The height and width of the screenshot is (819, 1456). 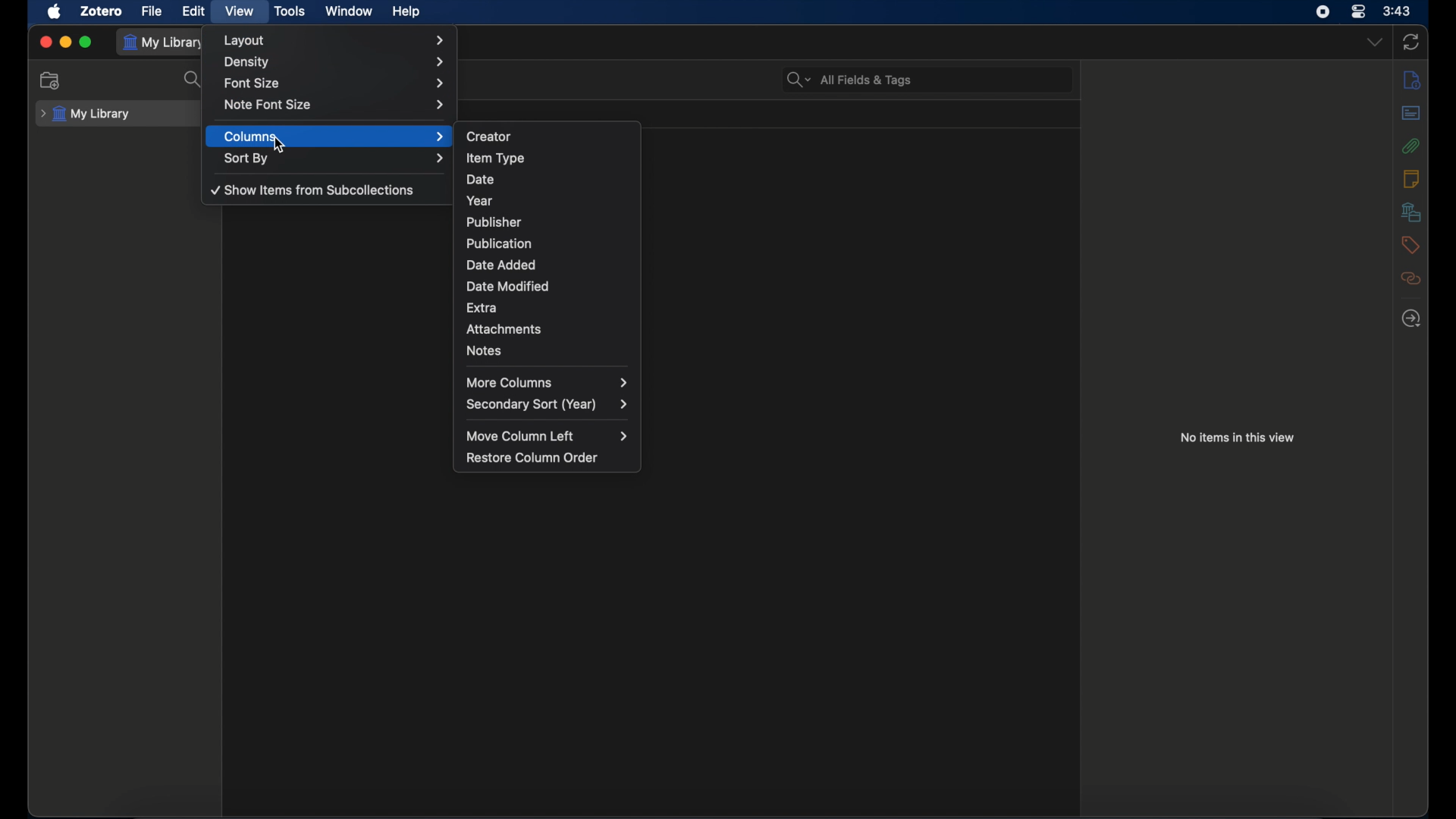 What do you see at coordinates (546, 352) in the screenshot?
I see `notes` at bounding box center [546, 352].